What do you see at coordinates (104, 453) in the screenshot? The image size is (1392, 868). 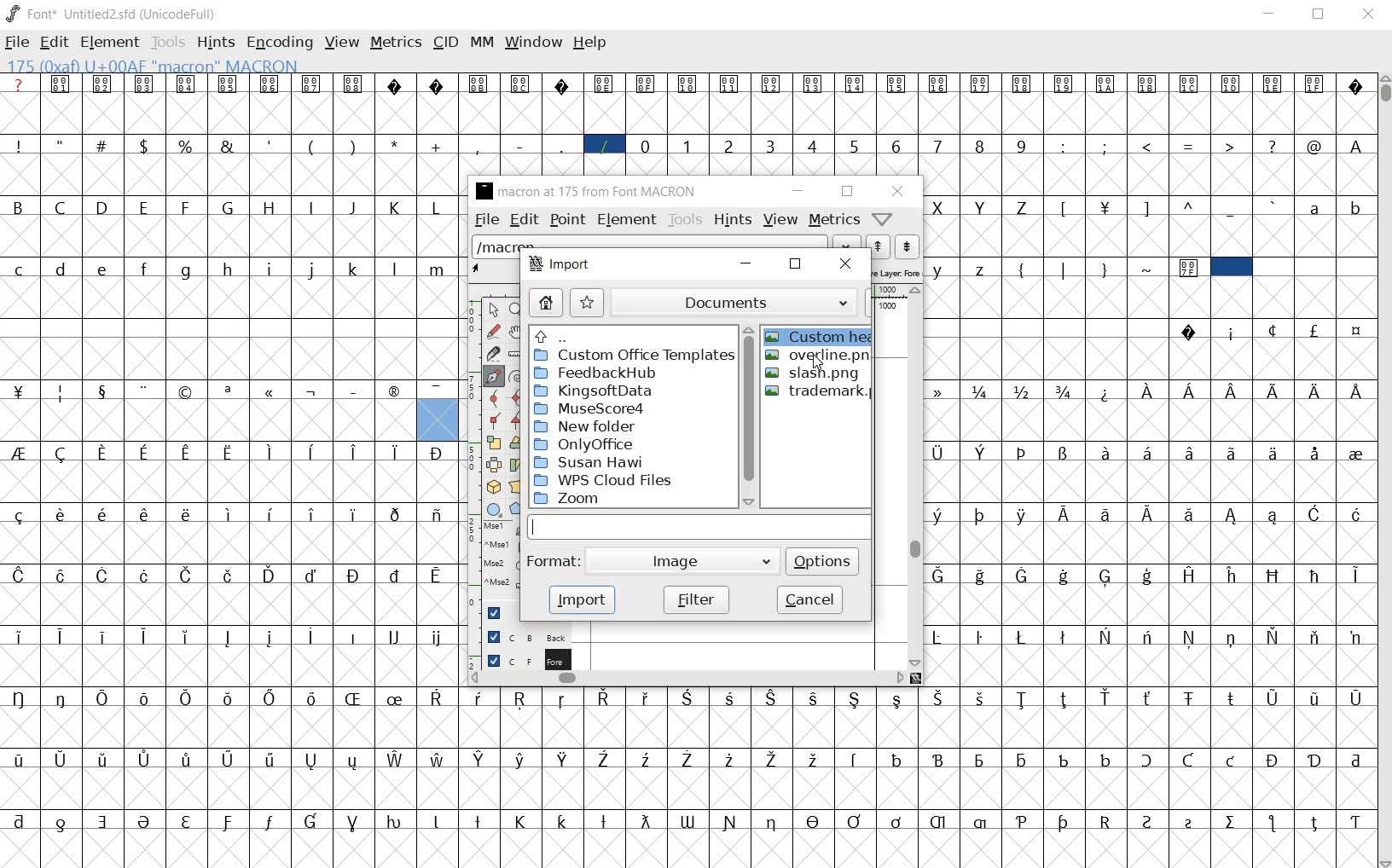 I see `Symbol` at bounding box center [104, 453].